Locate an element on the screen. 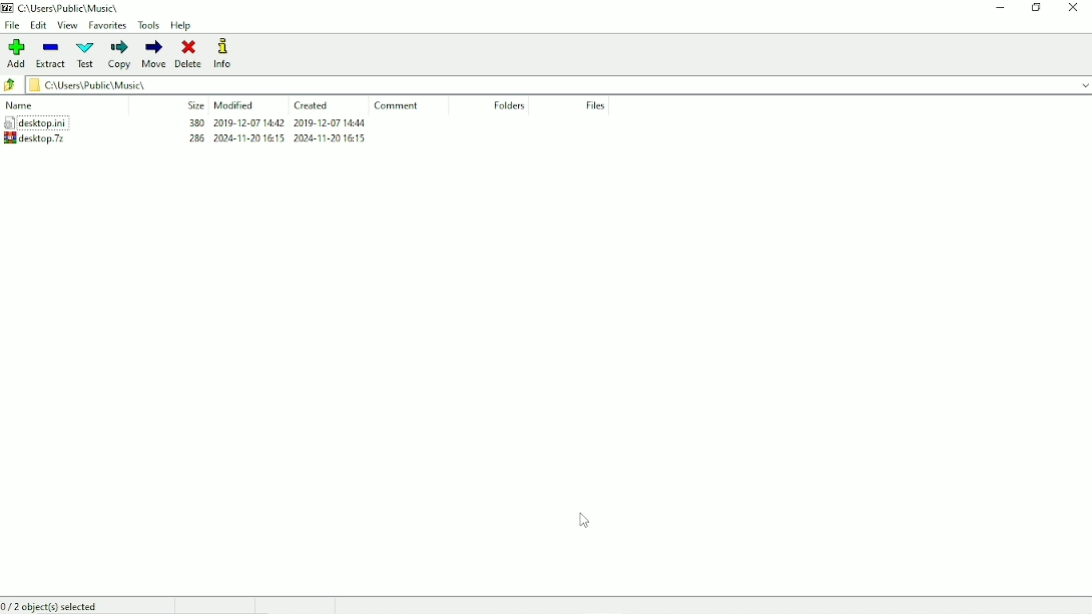 The height and width of the screenshot is (614, 1092). Help is located at coordinates (182, 25).